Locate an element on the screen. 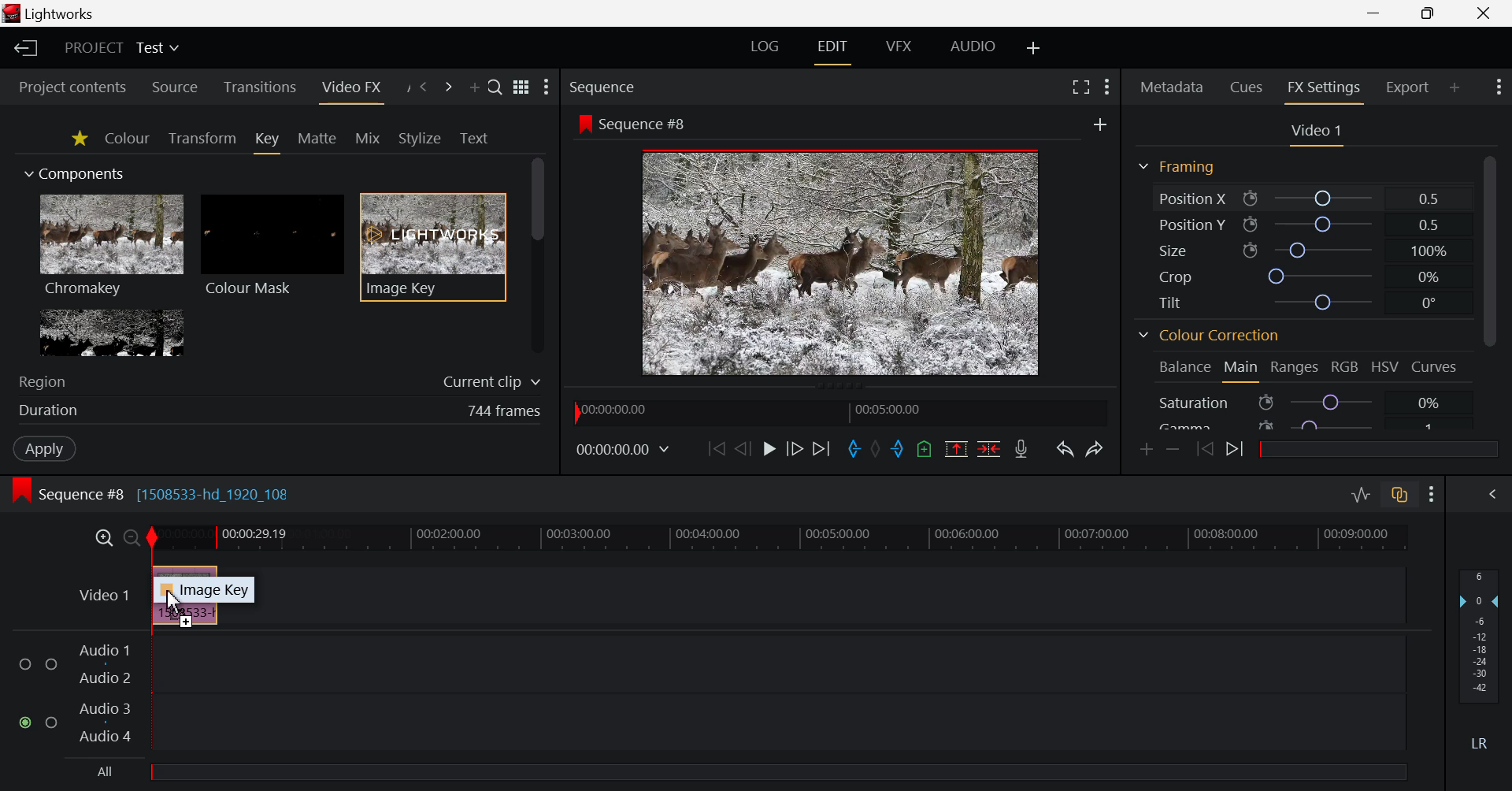 The image size is (1512, 791). crop is located at coordinates (1321, 277).